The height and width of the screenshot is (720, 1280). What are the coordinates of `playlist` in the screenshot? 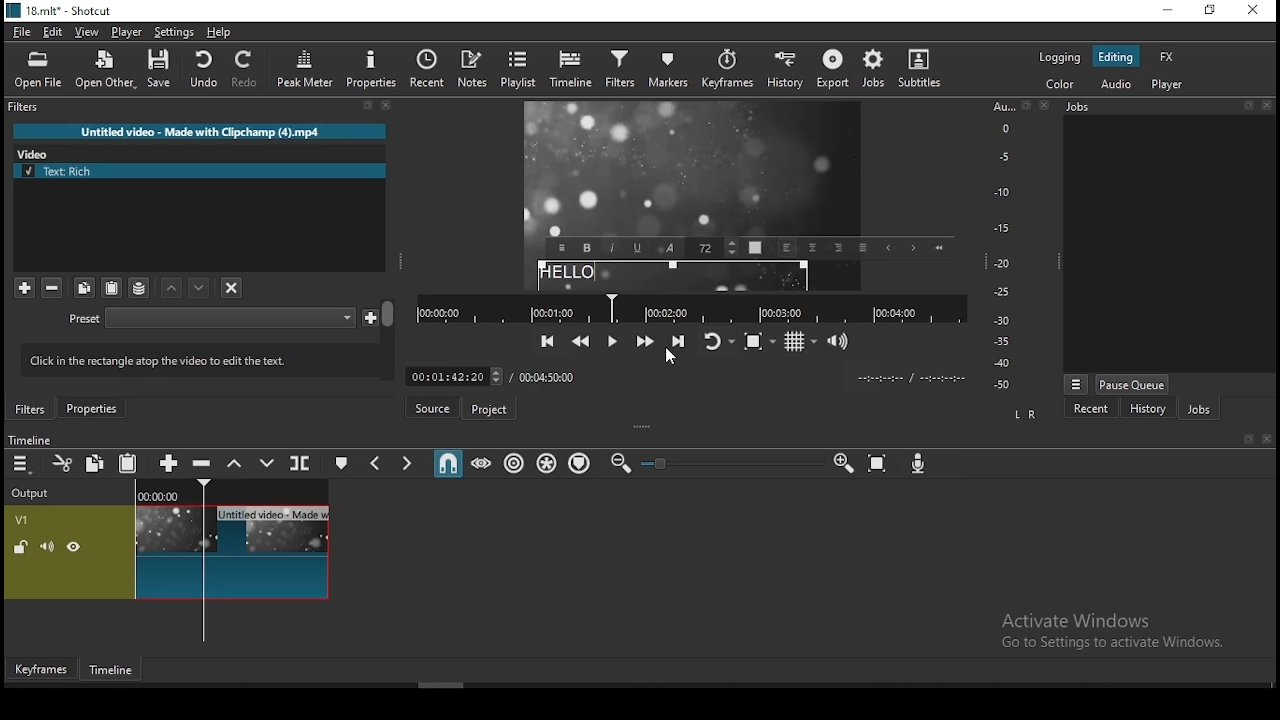 It's located at (519, 70).